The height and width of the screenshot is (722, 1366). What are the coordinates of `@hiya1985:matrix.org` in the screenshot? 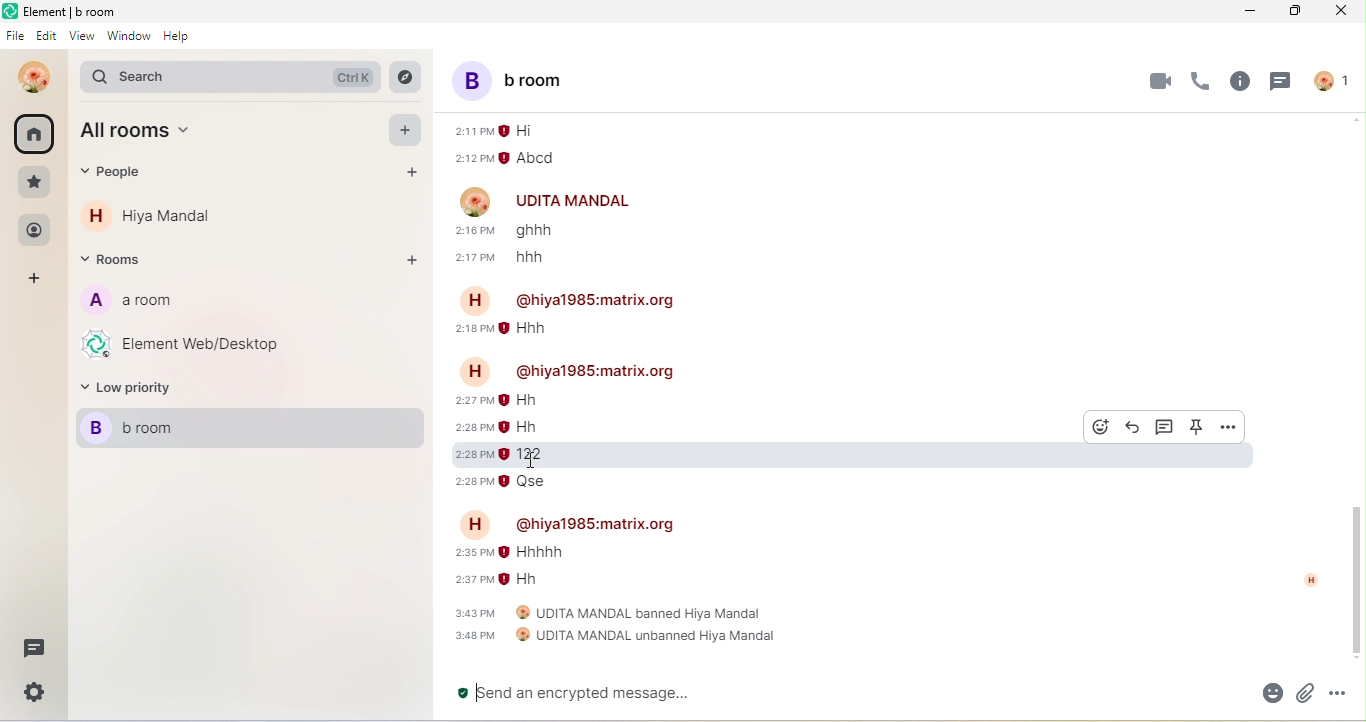 It's located at (595, 525).